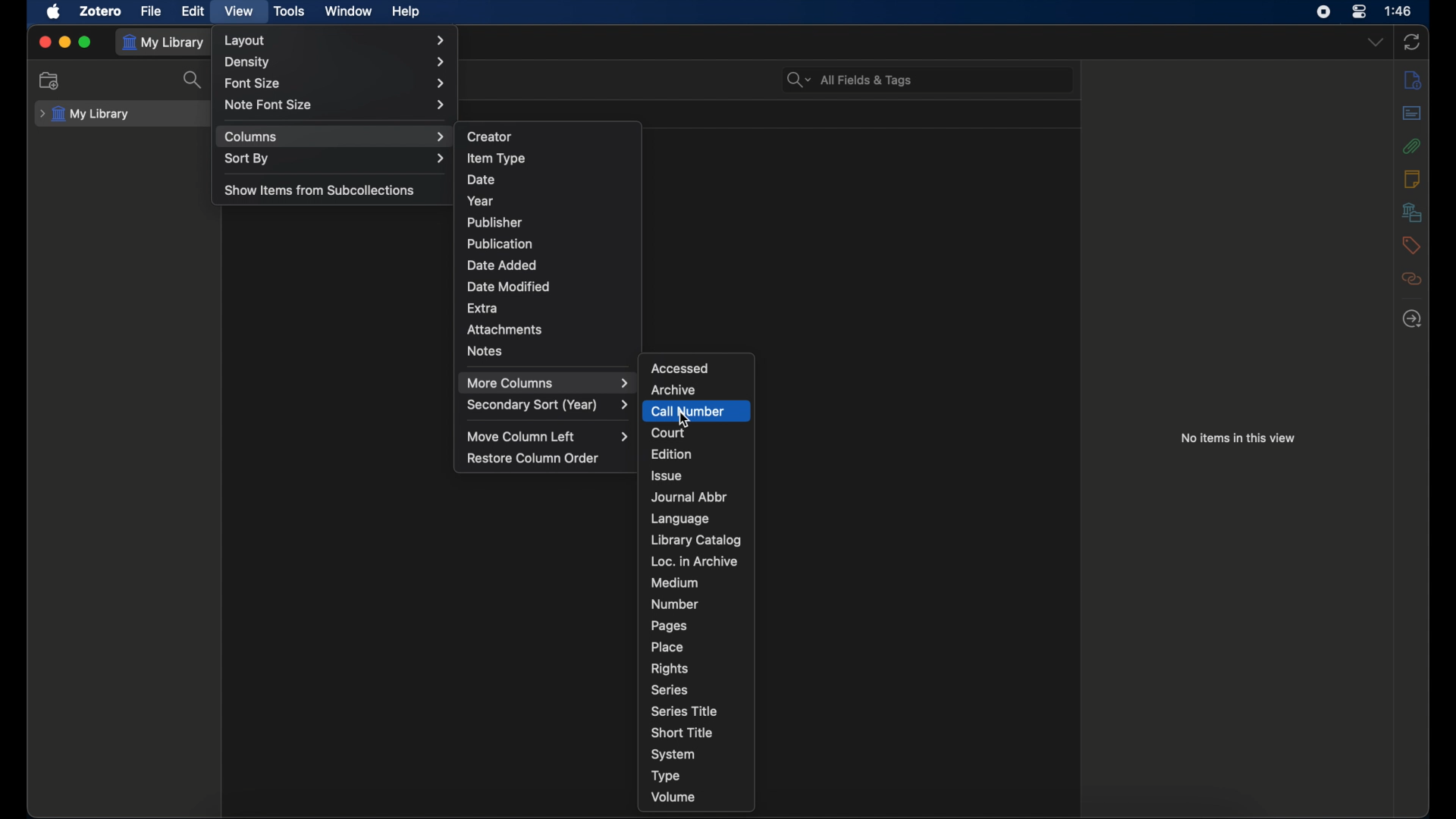 The width and height of the screenshot is (1456, 819). Describe the element at coordinates (668, 647) in the screenshot. I see `place` at that location.